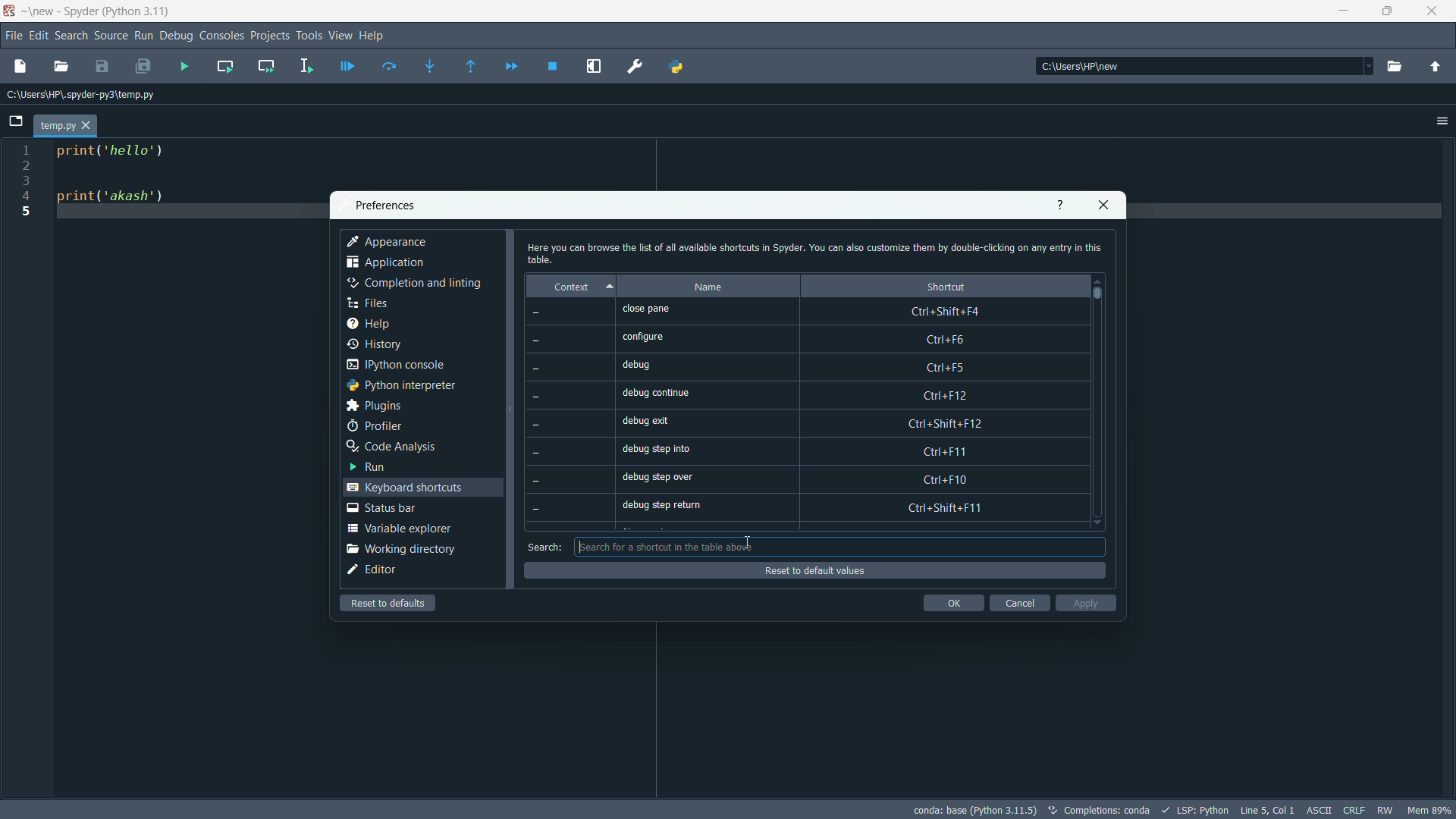 Image resolution: width=1456 pixels, height=819 pixels. Describe the element at coordinates (545, 547) in the screenshot. I see ` search: ` at that location.